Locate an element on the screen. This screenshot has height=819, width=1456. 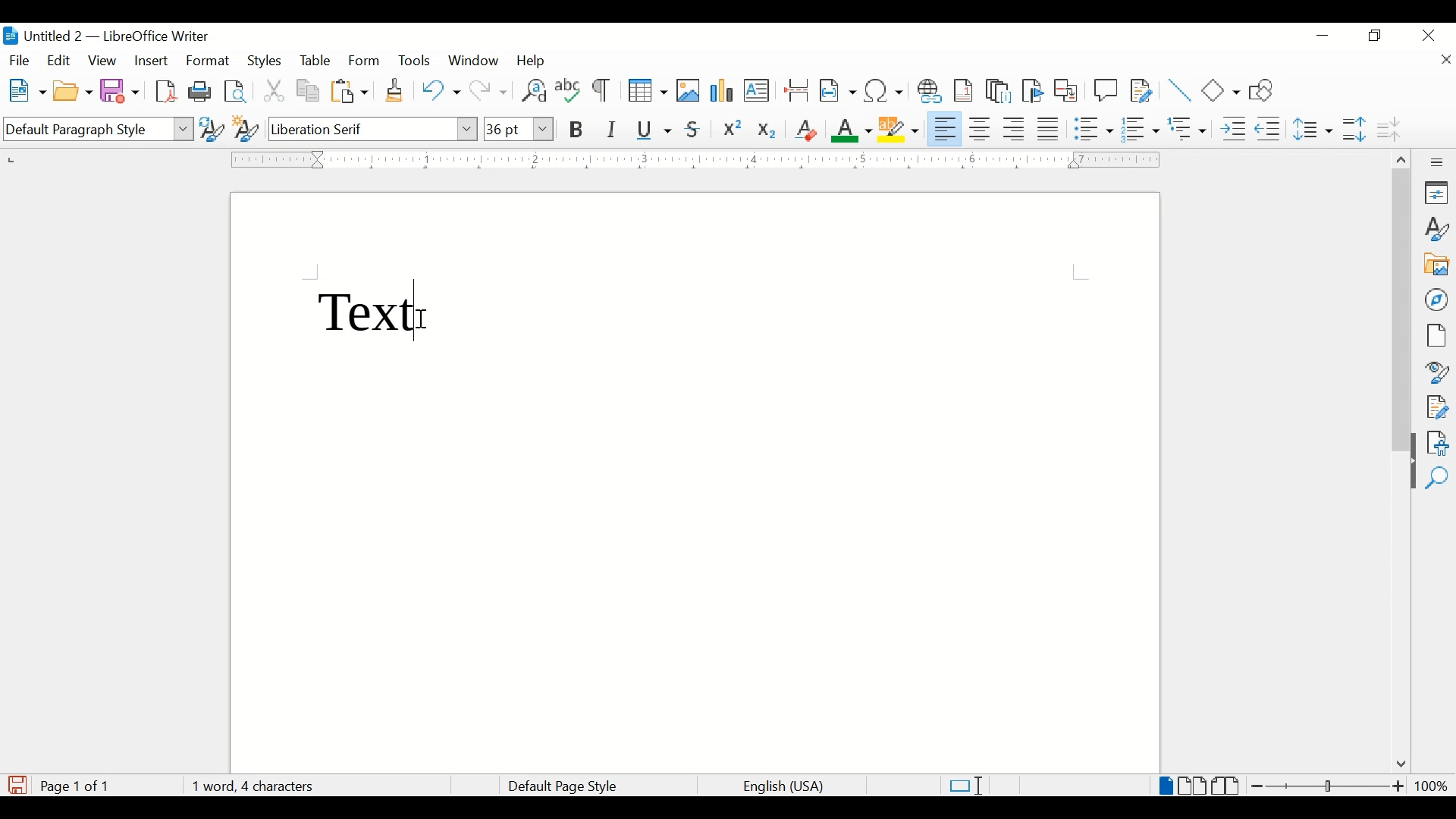
styles is located at coordinates (266, 61).